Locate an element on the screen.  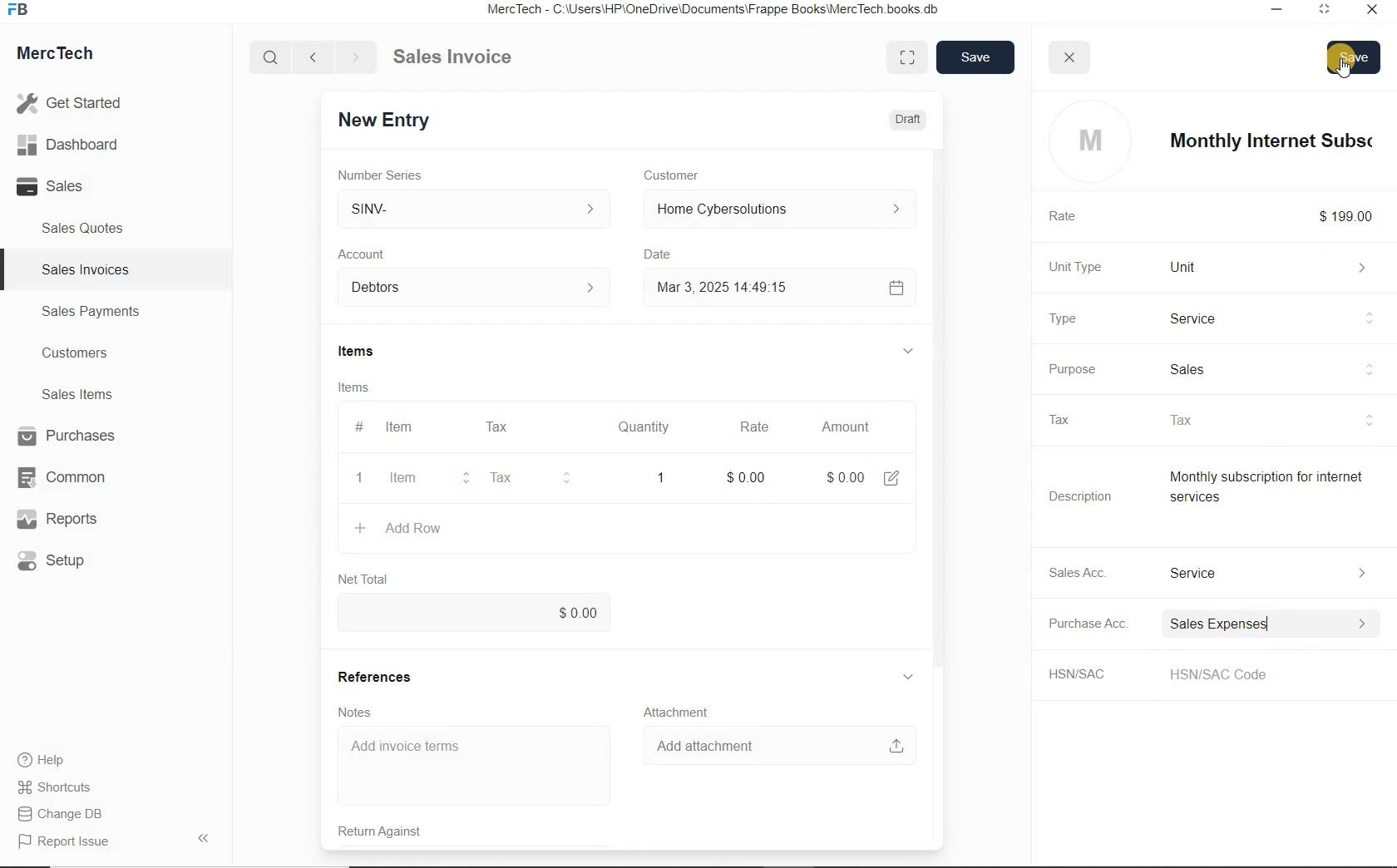
Report Issue is located at coordinates (67, 842).